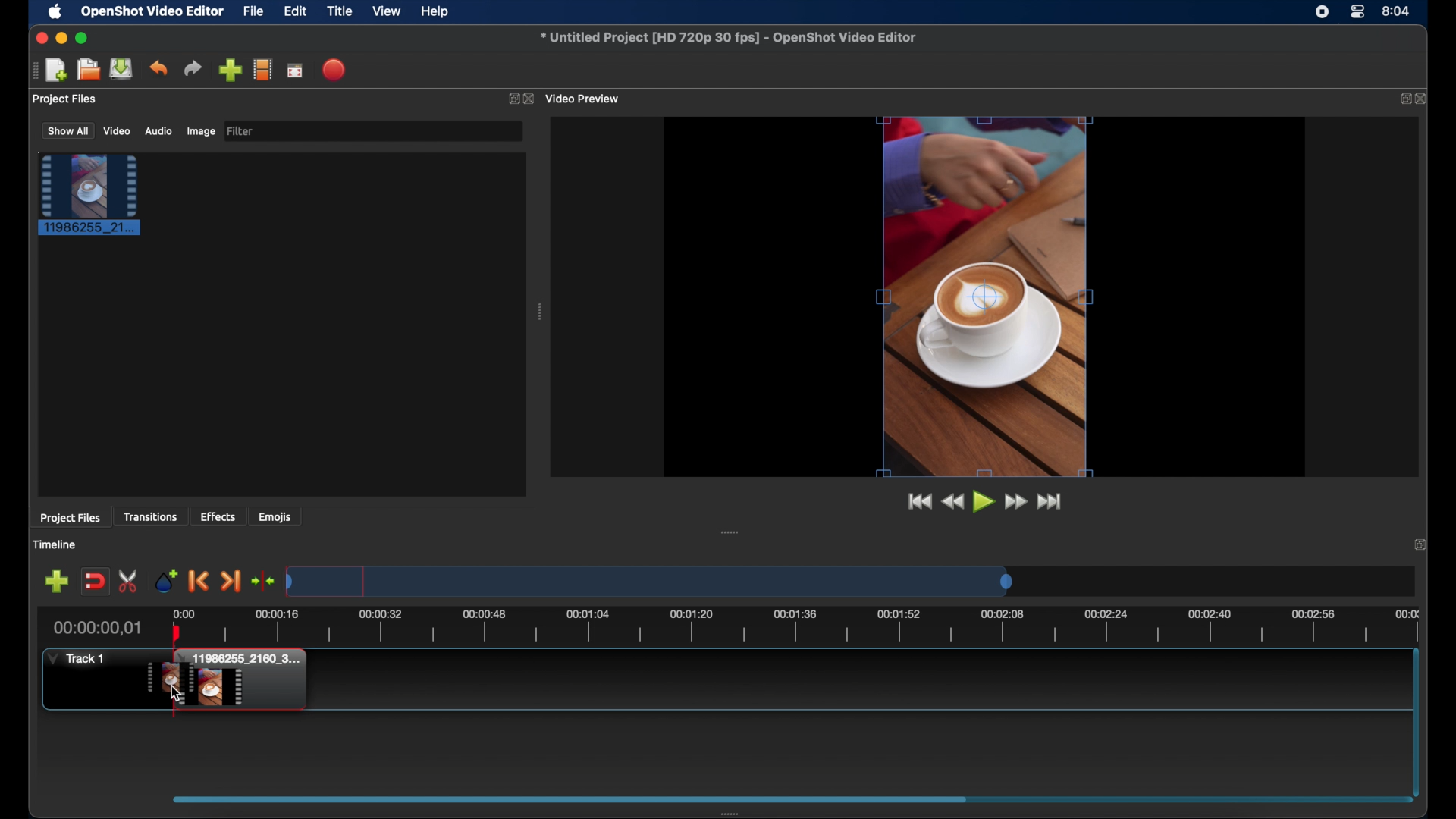 The width and height of the screenshot is (1456, 819). Describe the element at coordinates (118, 131) in the screenshot. I see `video` at that location.